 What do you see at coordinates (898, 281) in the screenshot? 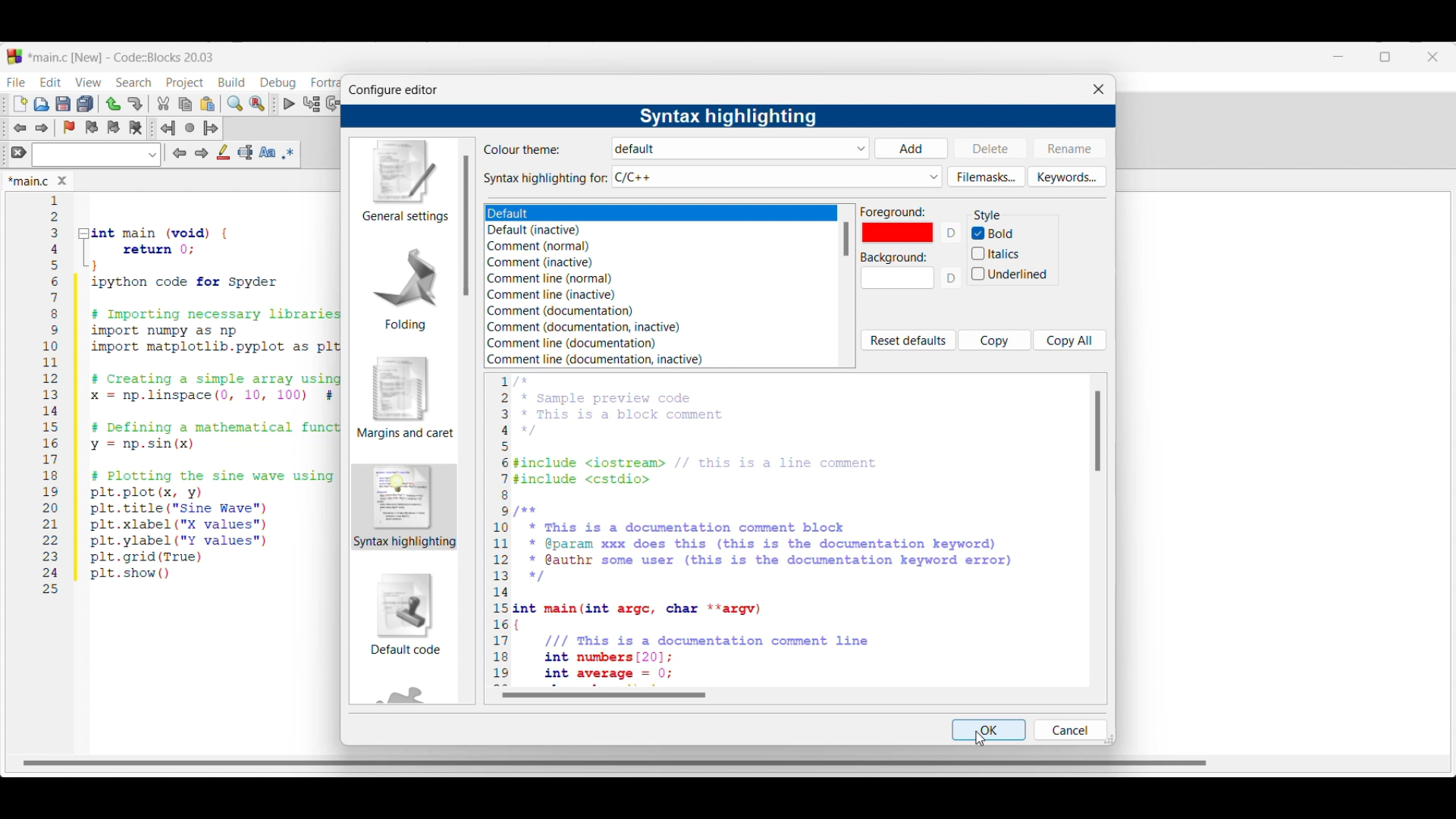
I see `Background color options` at bounding box center [898, 281].